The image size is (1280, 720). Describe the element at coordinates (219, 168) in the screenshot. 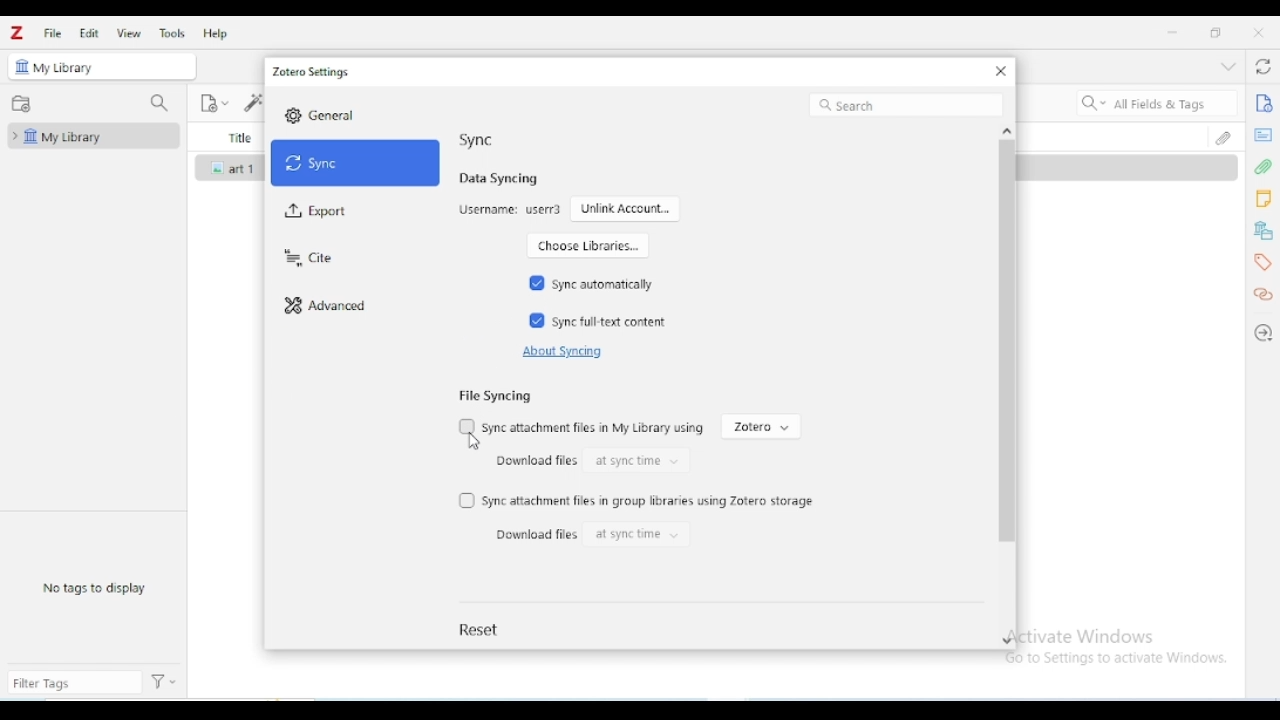

I see `icon` at that location.